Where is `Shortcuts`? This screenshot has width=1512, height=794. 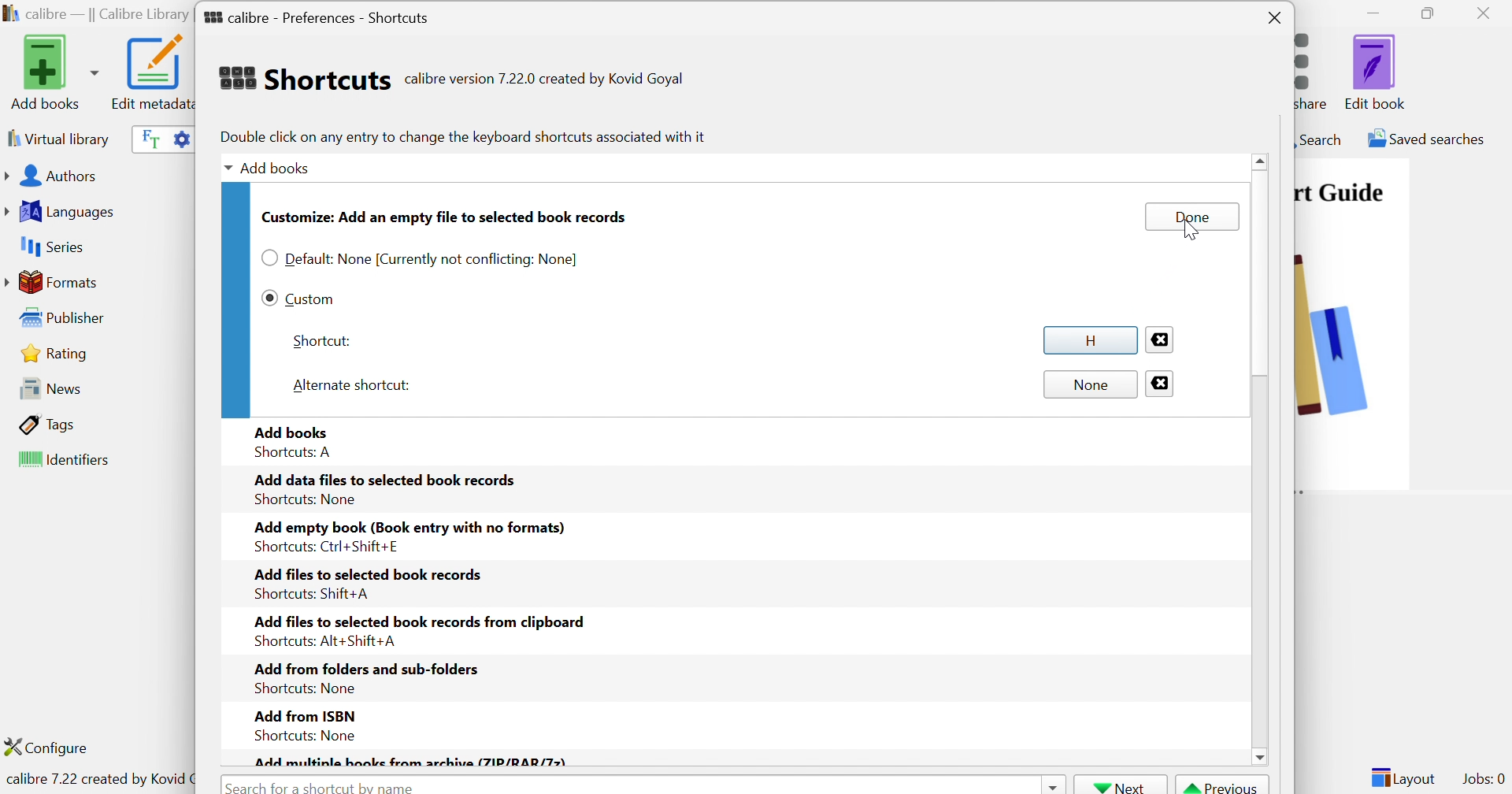 Shortcuts is located at coordinates (303, 78).